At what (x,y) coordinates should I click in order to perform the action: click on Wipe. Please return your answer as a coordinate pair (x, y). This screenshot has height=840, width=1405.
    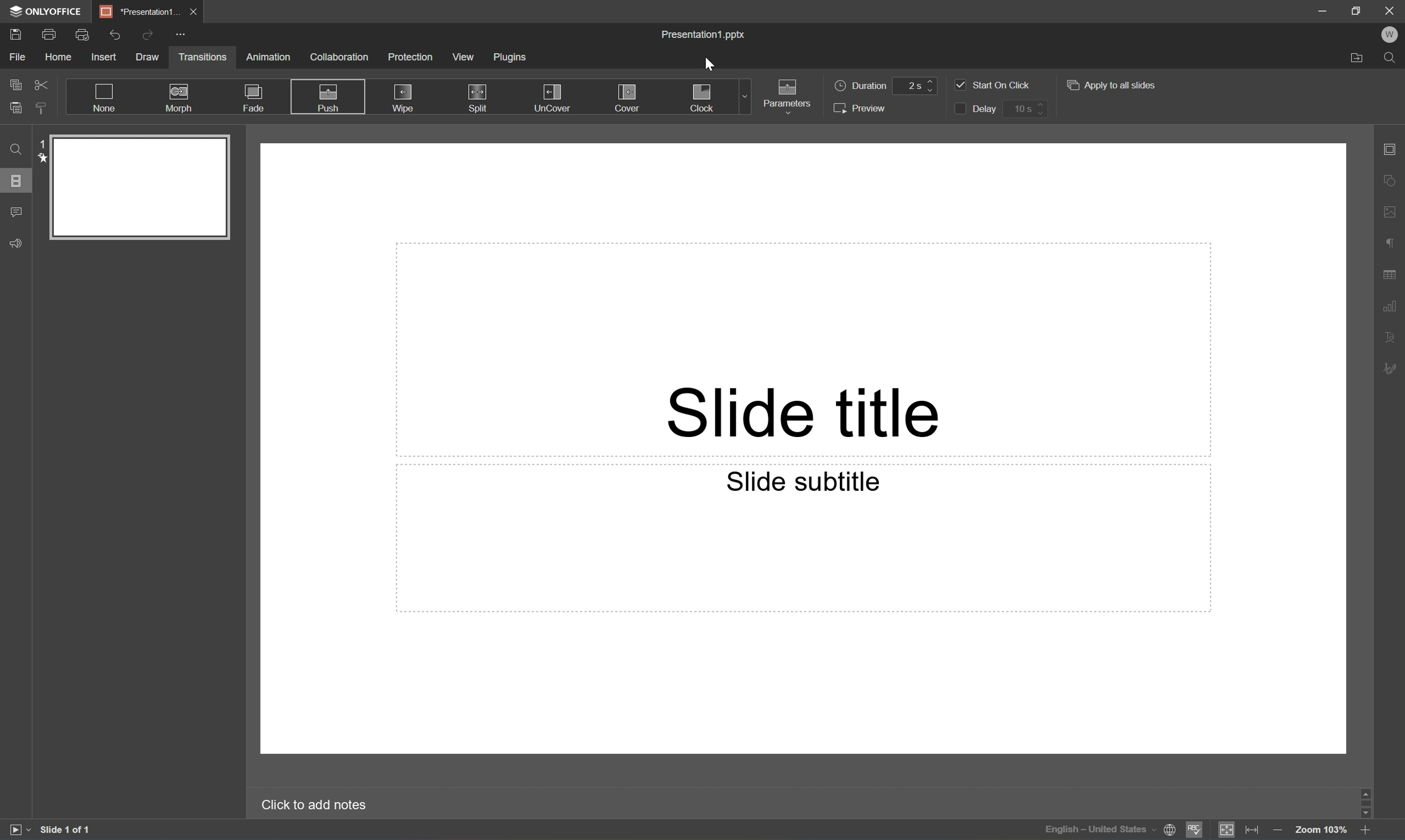
    Looking at the image, I should click on (402, 99).